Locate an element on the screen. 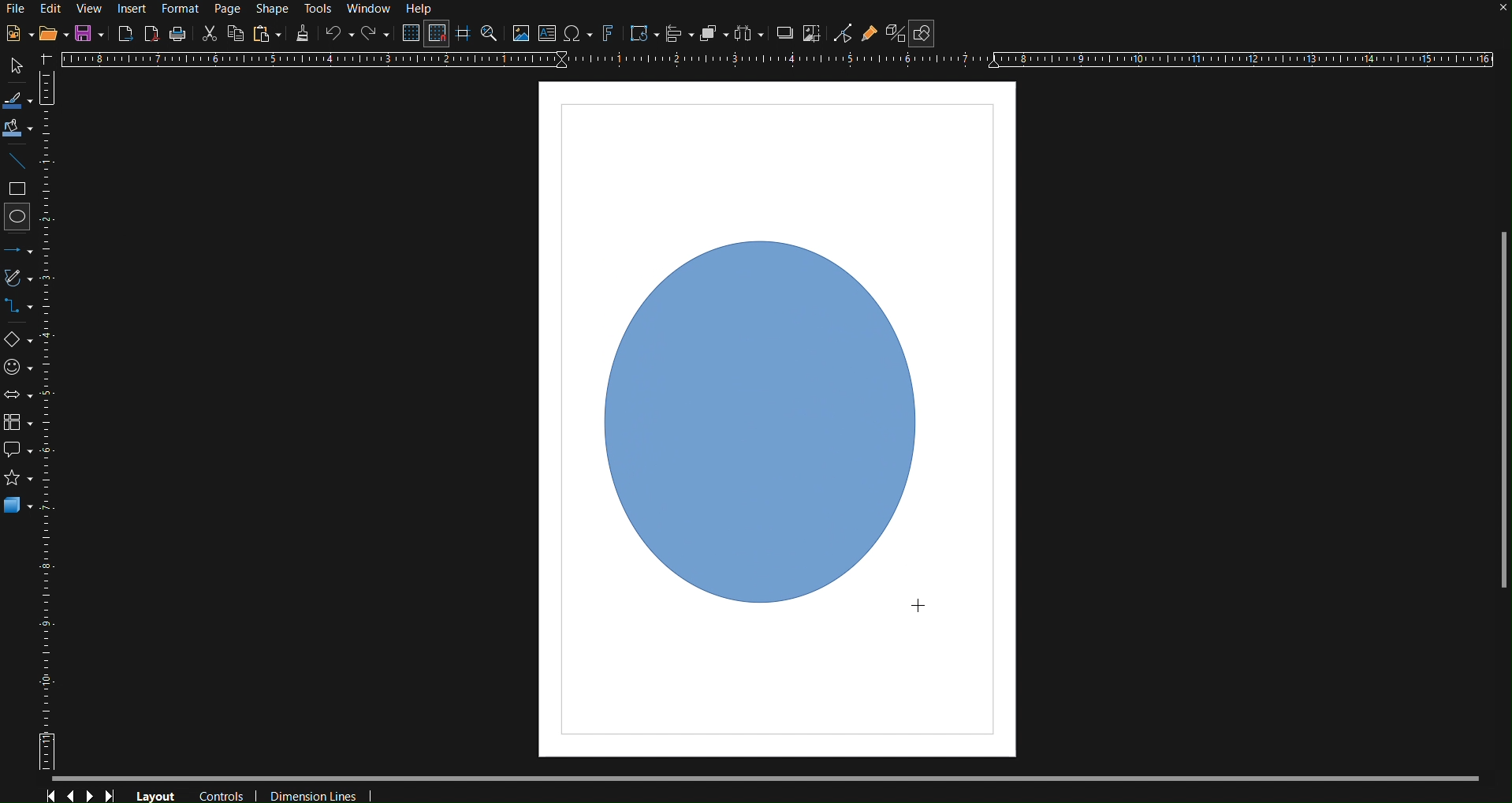  Snap to Grid is located at coordinates (437, 35).